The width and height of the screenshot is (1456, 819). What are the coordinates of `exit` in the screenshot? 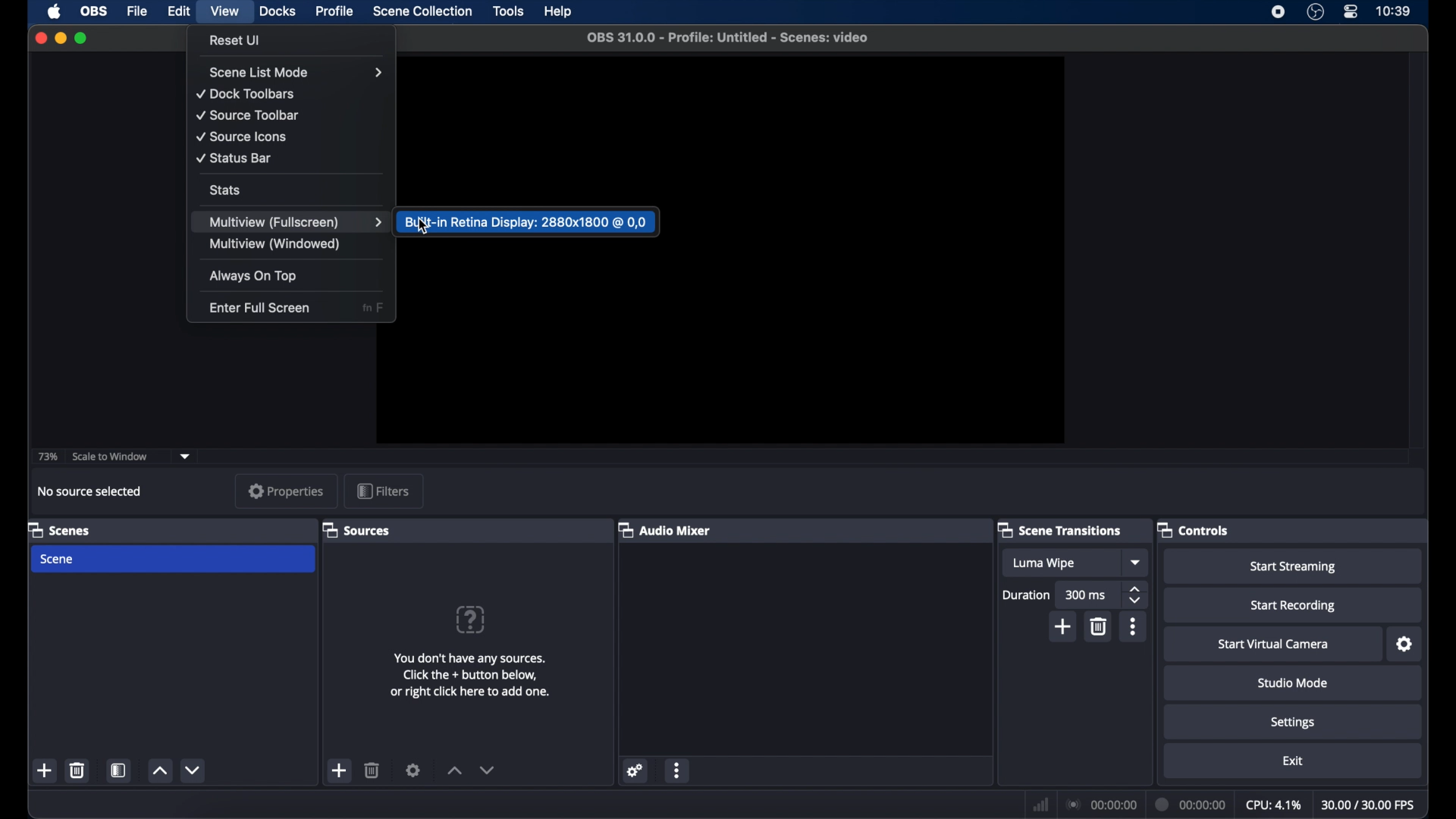 It's located at (1292, 761).